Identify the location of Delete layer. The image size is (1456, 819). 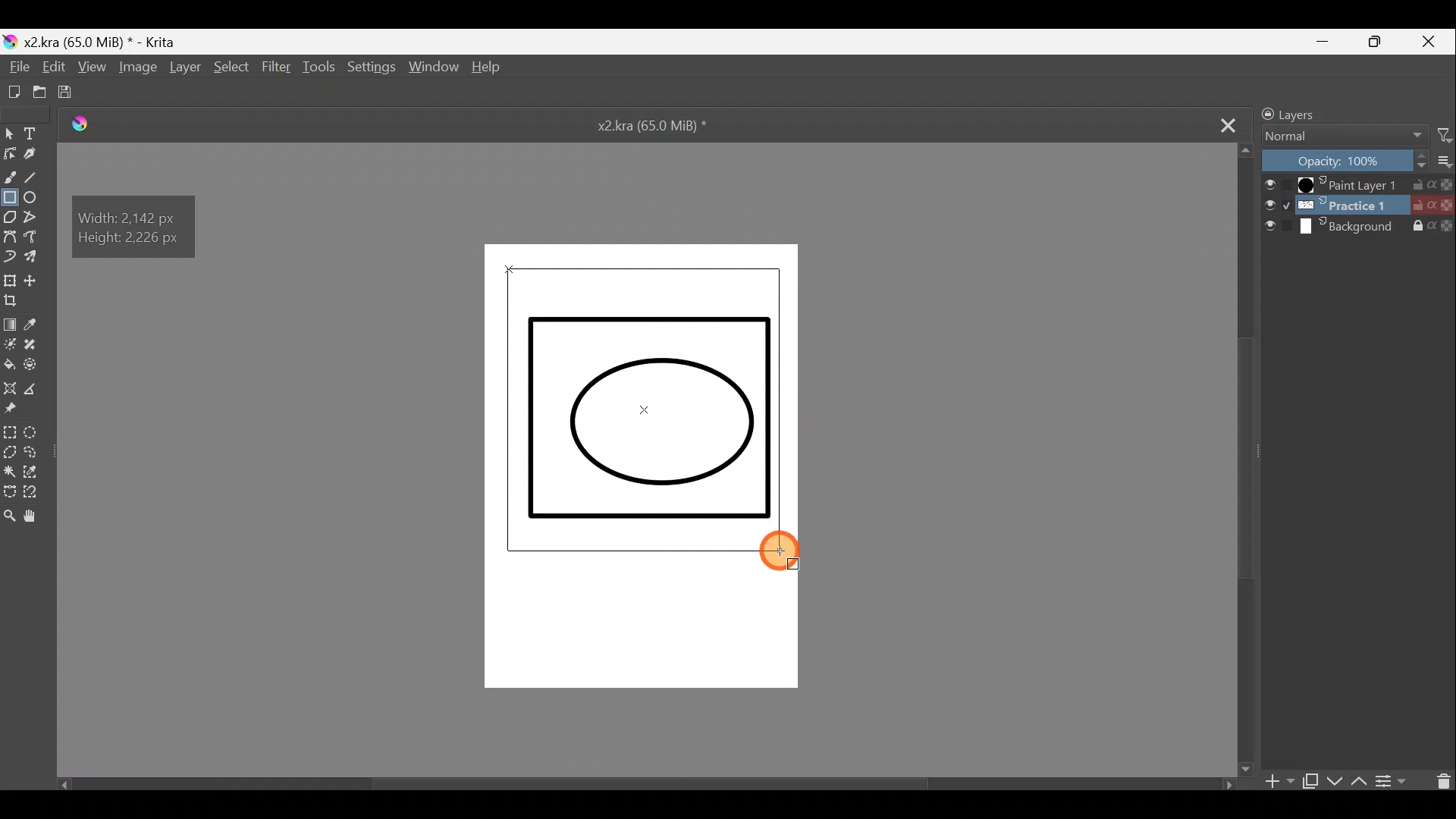
(1438, 783).